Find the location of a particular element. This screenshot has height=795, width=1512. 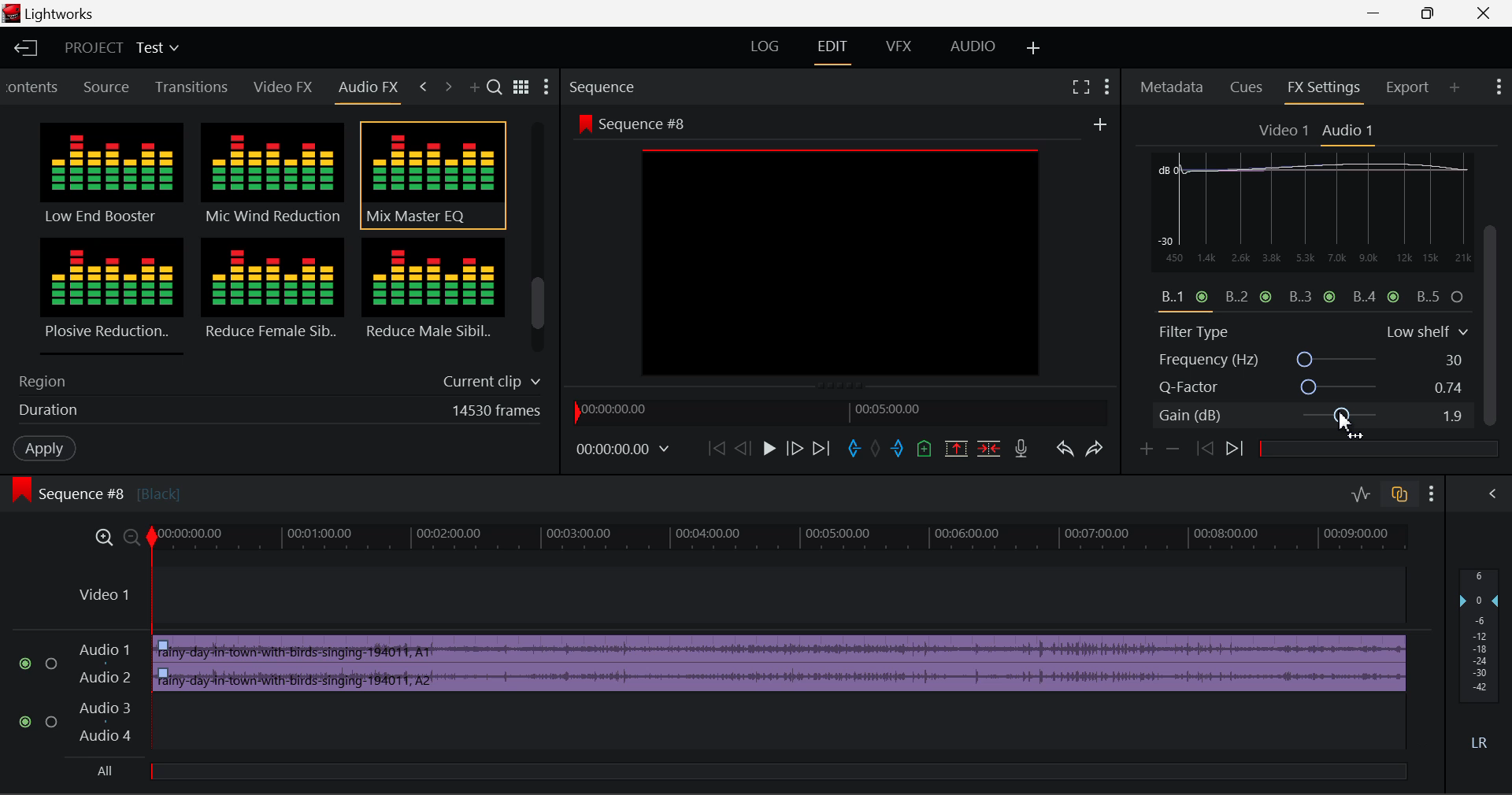

Sequence Section is located at coordinates (649, 86).